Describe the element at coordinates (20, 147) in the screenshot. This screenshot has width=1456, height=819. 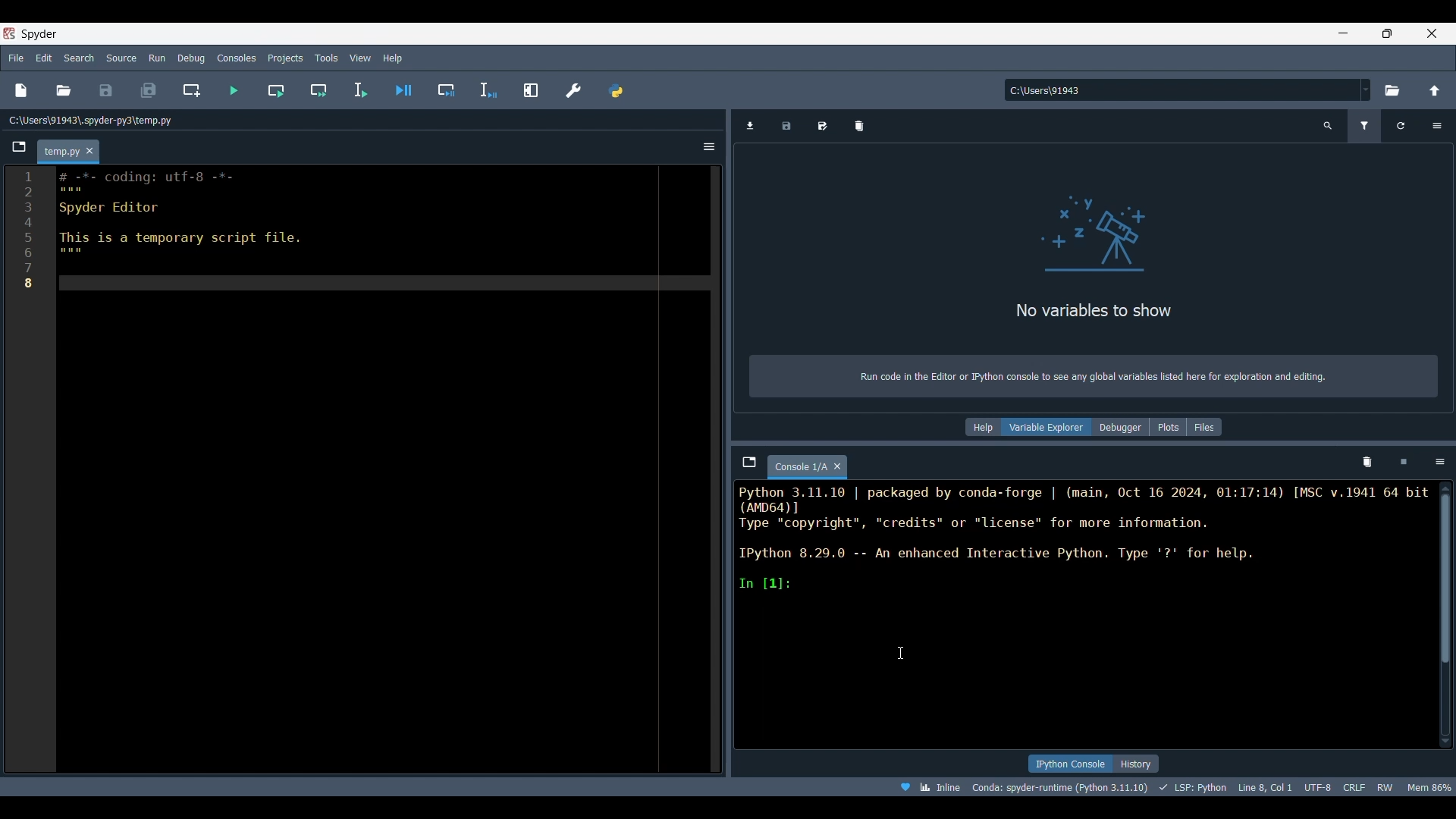
I see `Browse tabs` at that location.